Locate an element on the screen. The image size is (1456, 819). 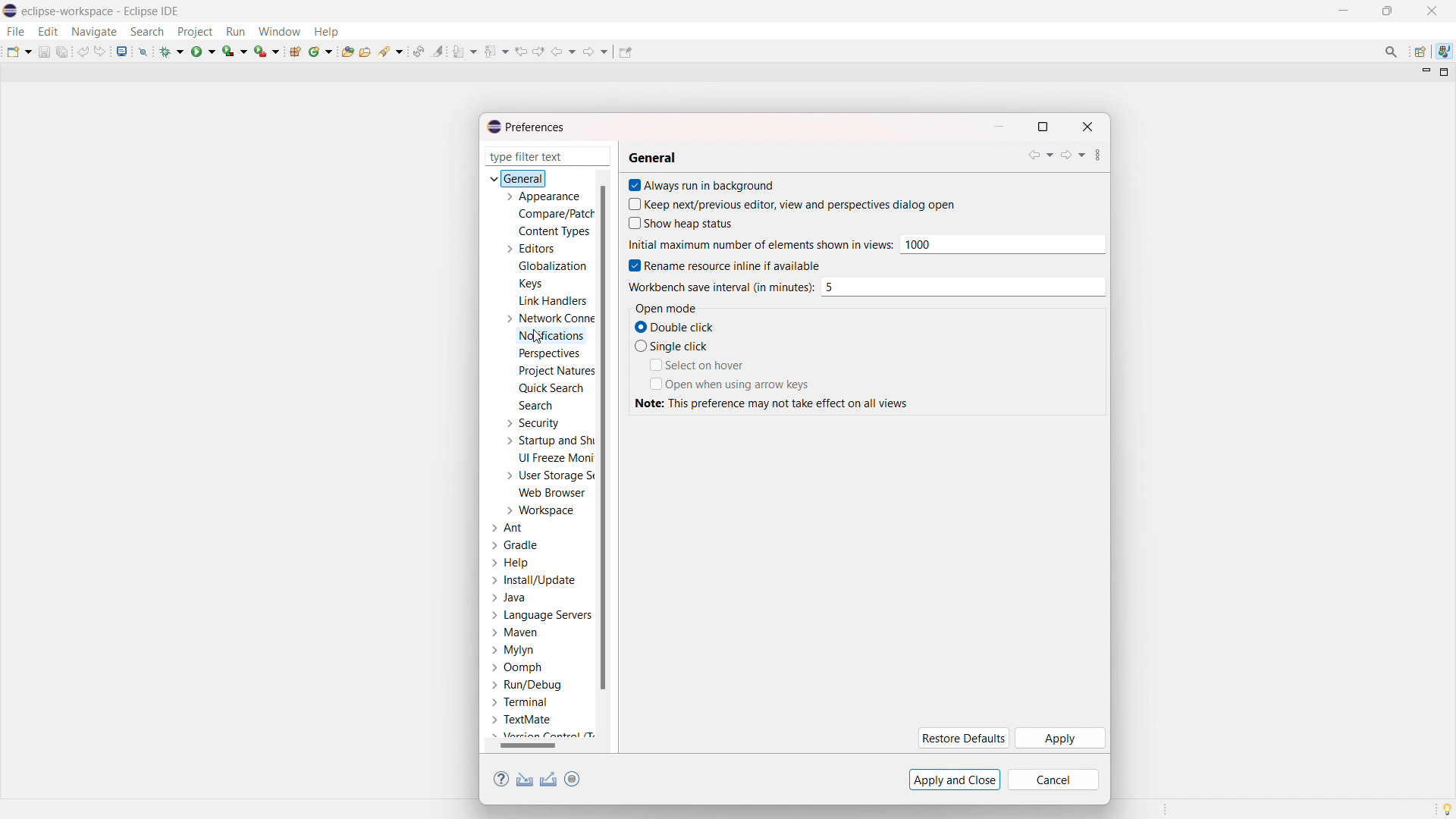
close dialogbox is located at coordinates (1087, 127).